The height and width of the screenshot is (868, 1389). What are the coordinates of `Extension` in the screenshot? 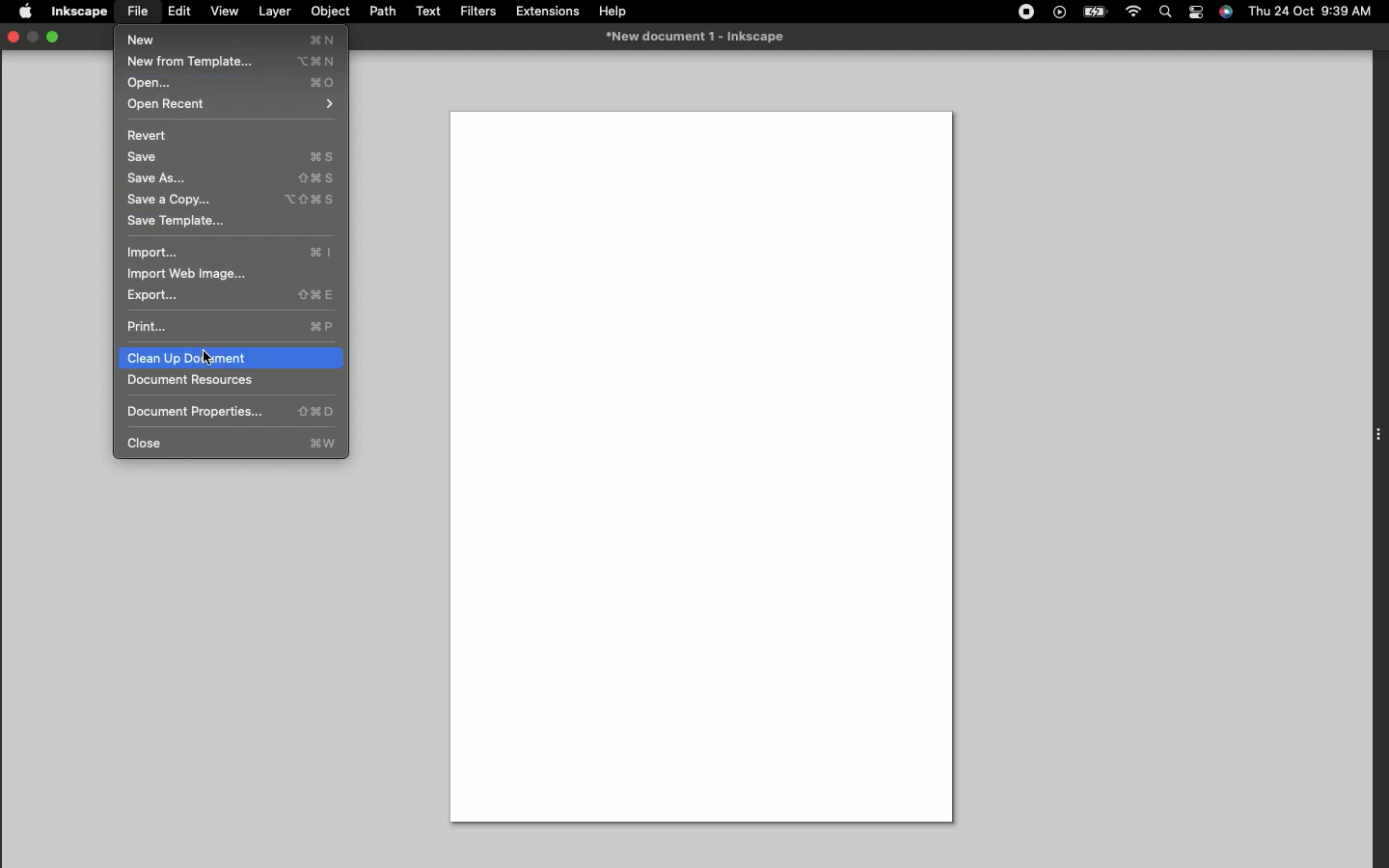 It's located at (1380, 437).